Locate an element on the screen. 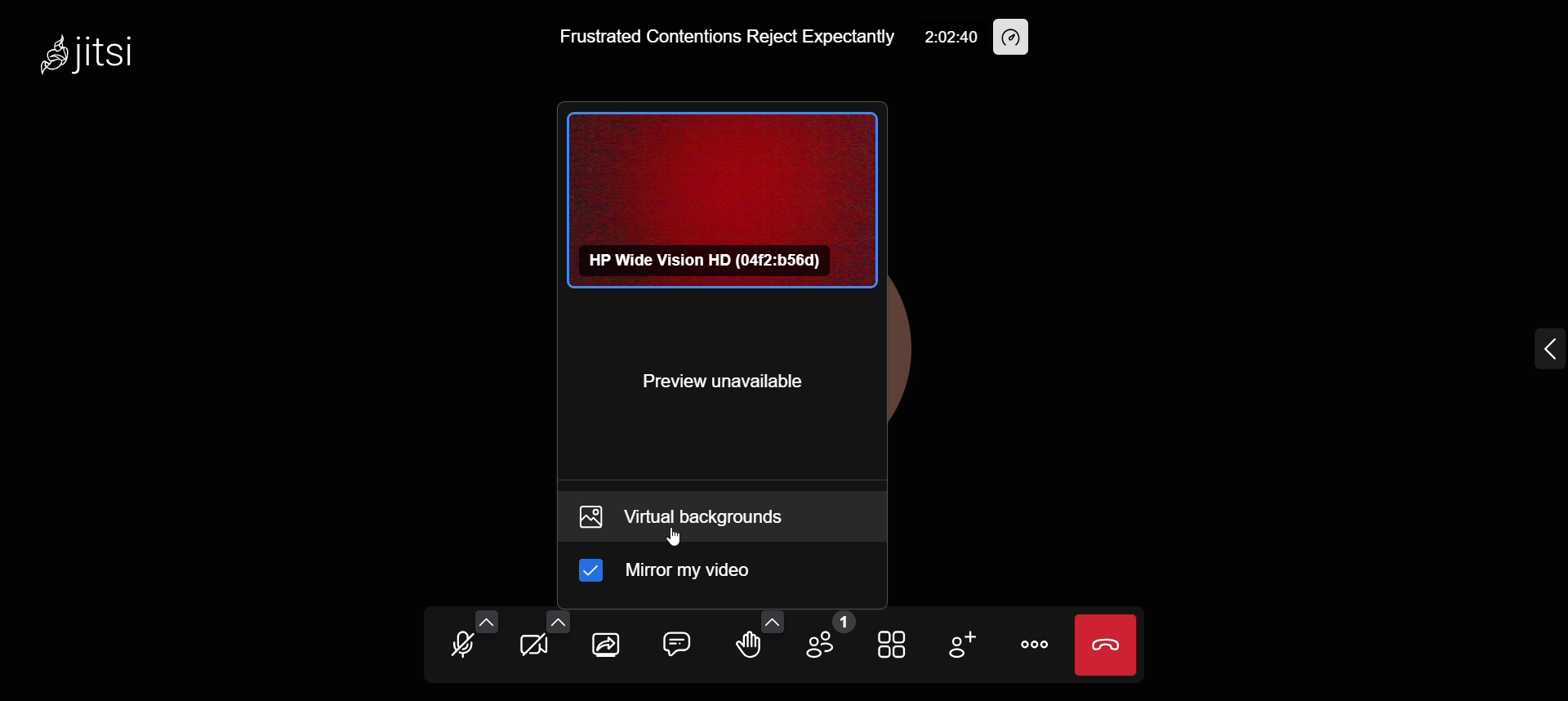  sound setting is located at coordinates (486, 615).